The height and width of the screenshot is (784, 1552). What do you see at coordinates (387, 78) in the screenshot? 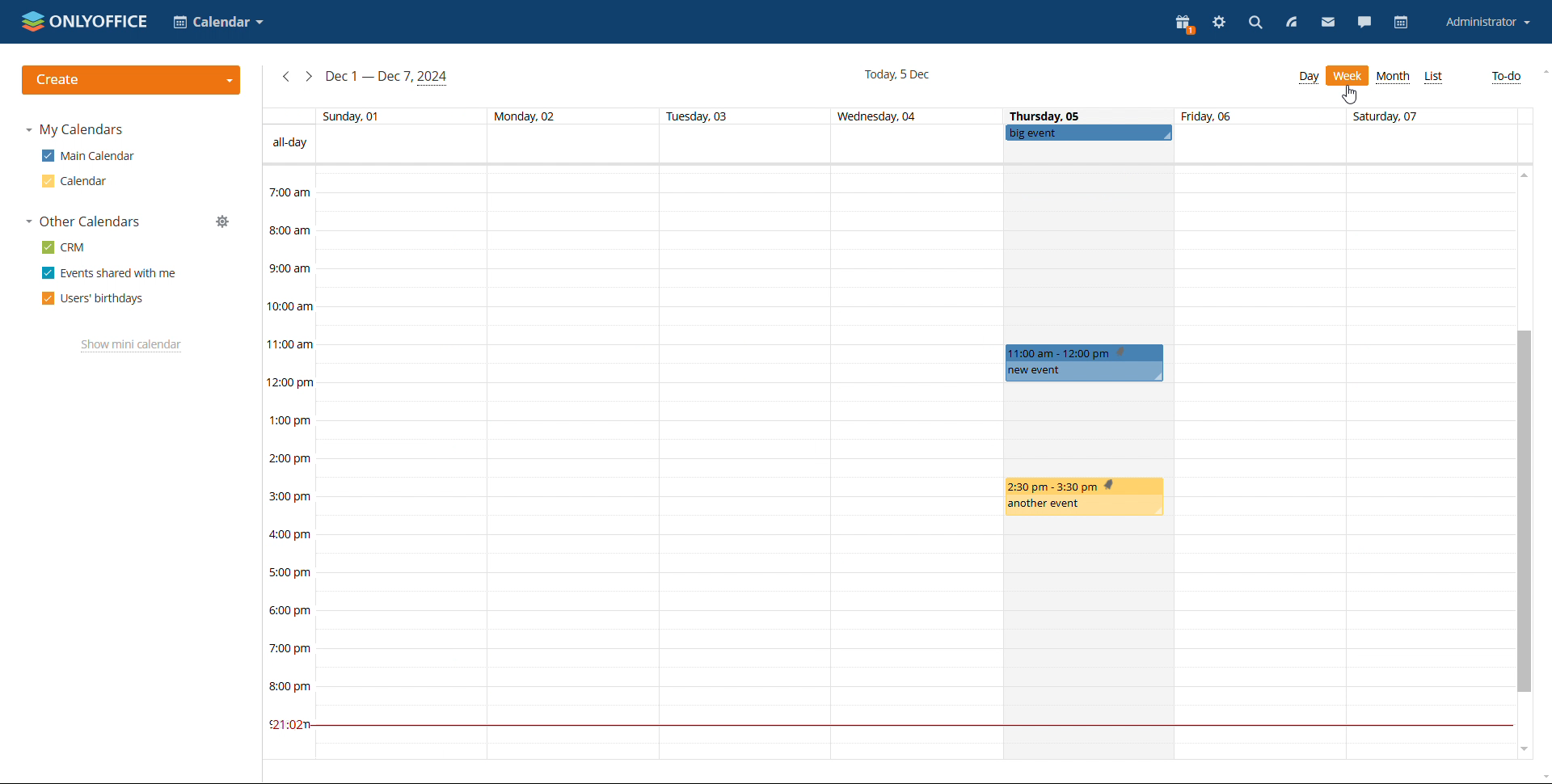
I see `current week` at bounding box center [387, 78].